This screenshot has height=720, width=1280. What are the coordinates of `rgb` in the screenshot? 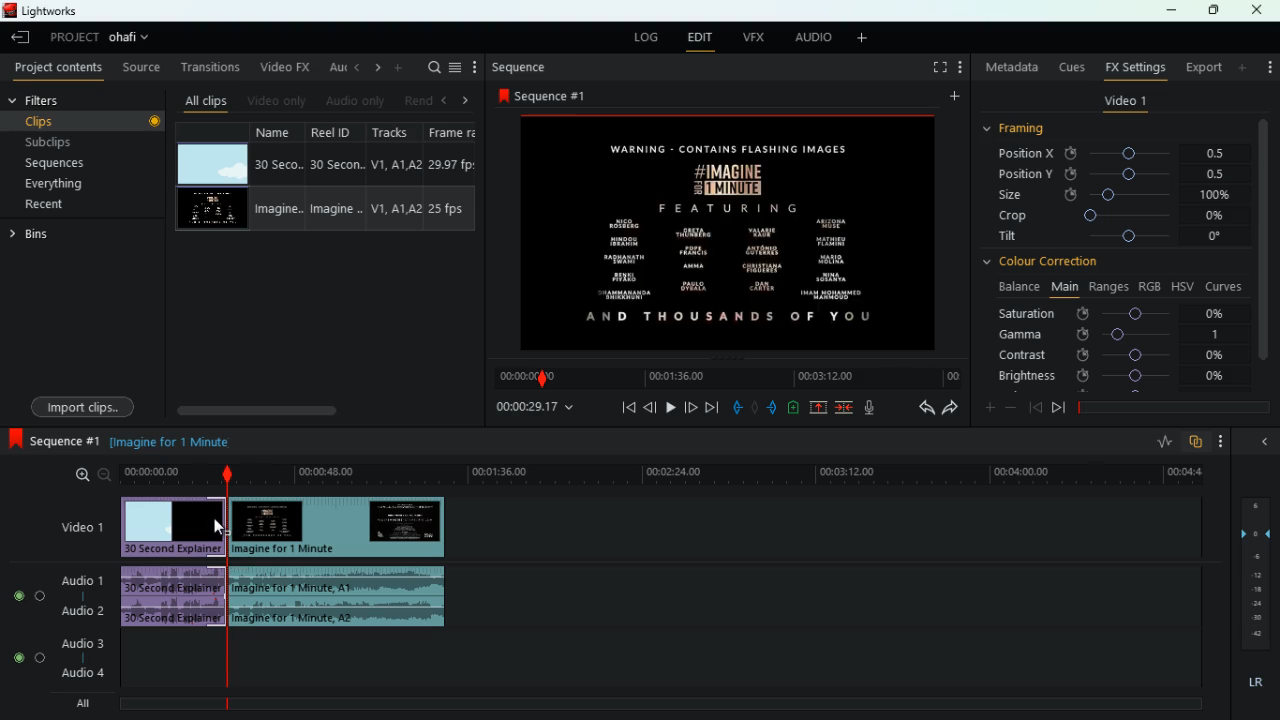 It's located at (1150, 285).